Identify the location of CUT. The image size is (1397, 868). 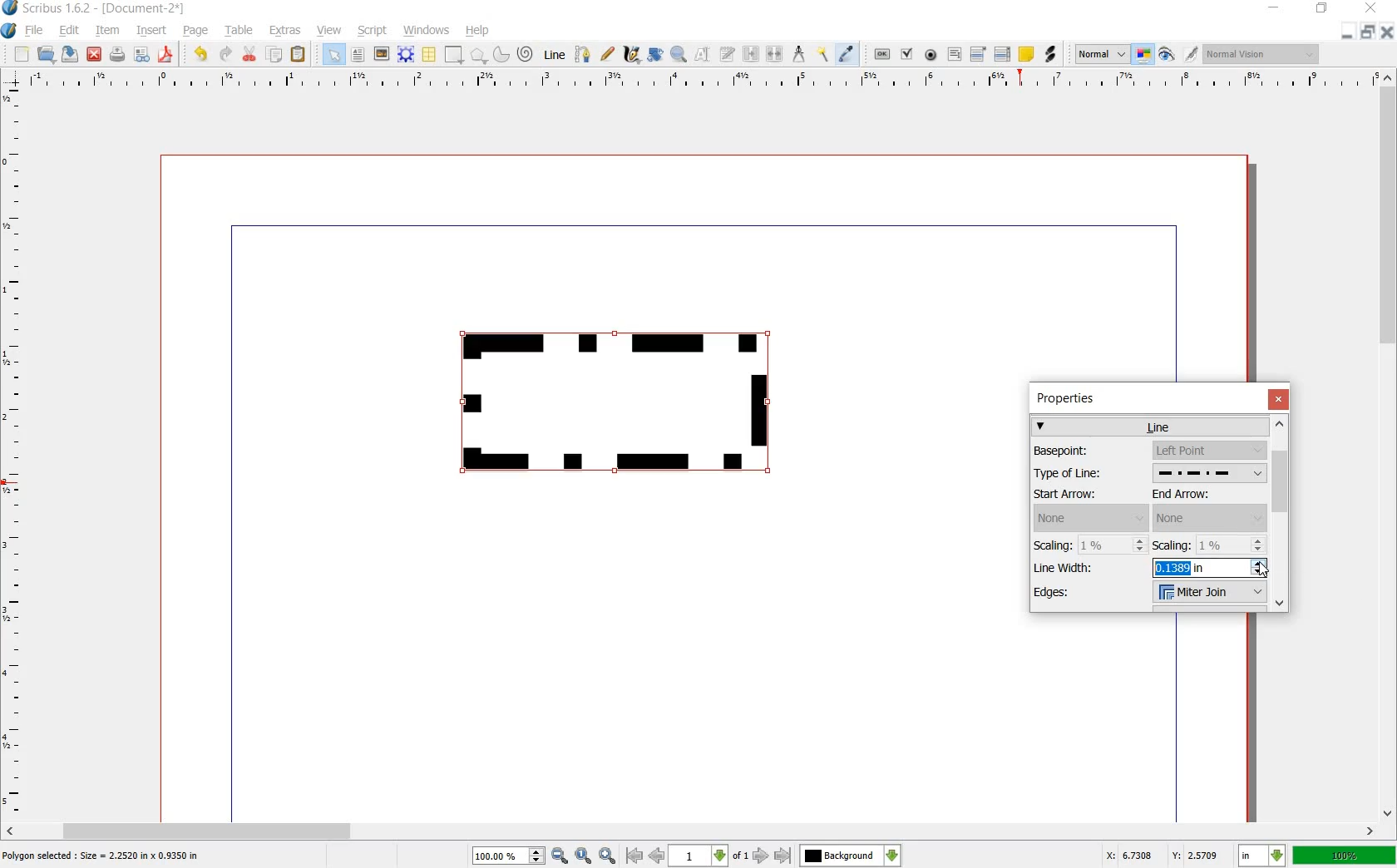
(250, 54).